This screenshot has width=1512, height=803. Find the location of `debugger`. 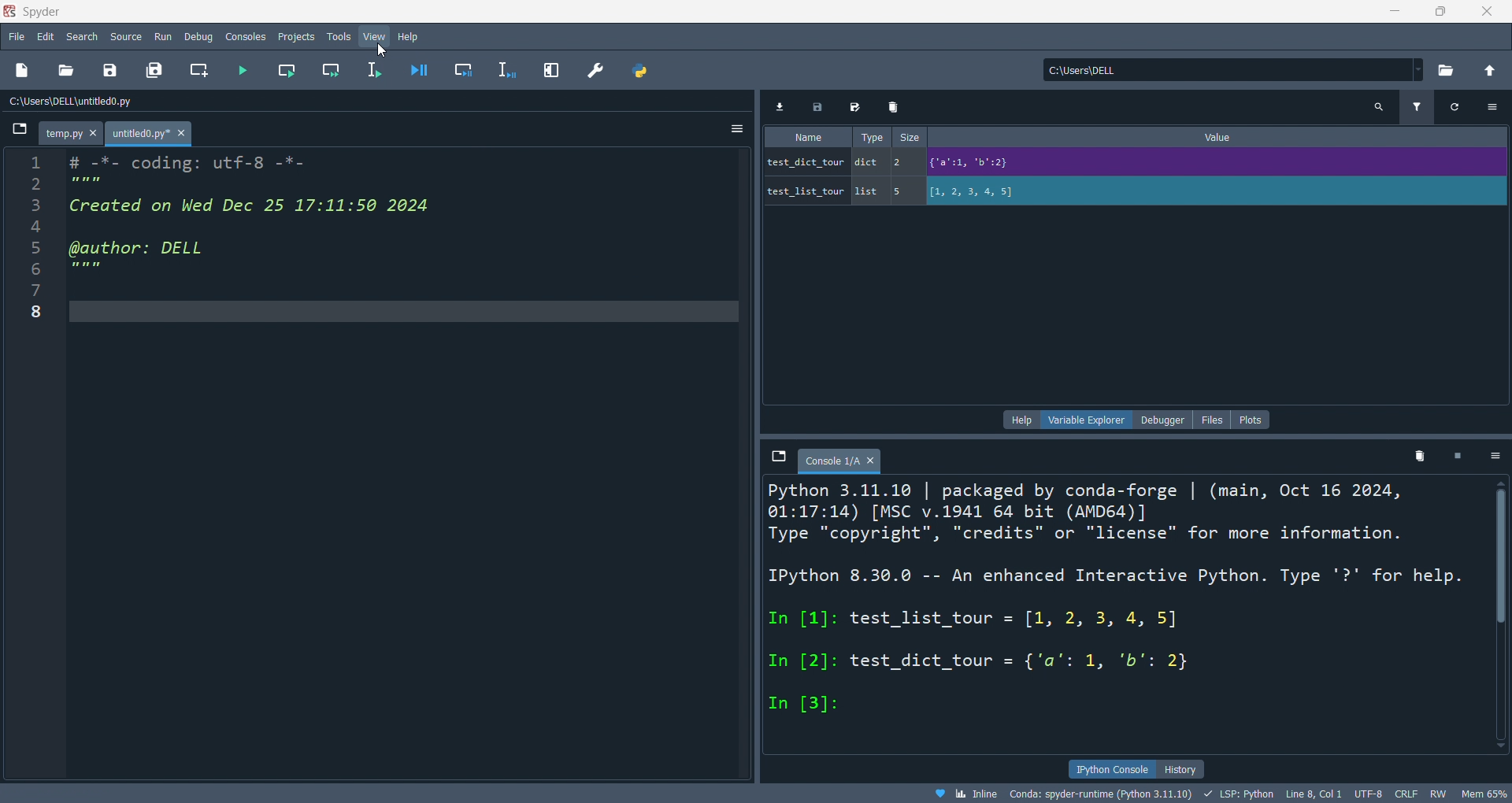

debugger is located at coordinates (1160, 420).